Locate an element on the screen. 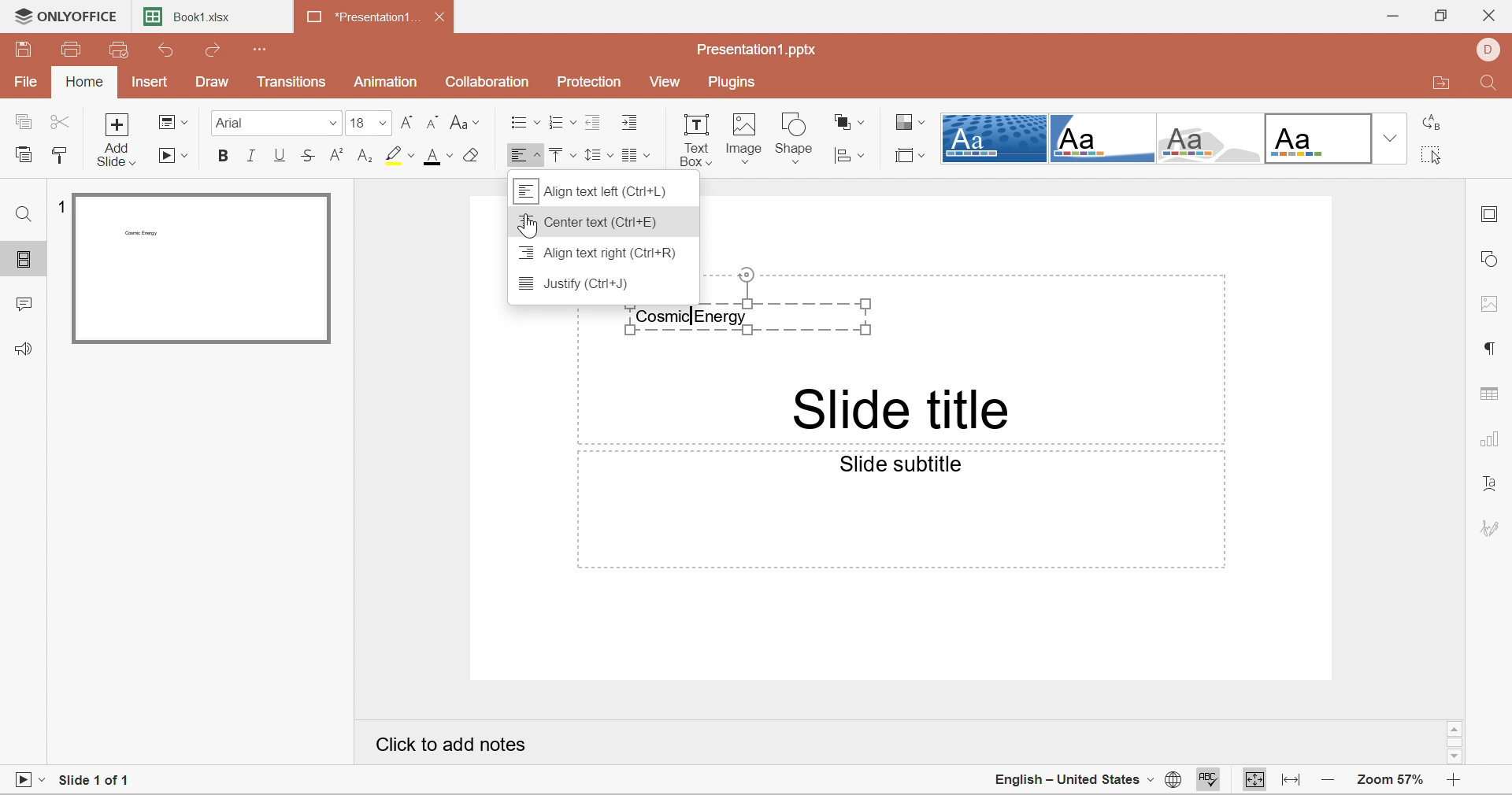 This screenshot has height=795, width=1512. Set document language is located at coordinates (1169, 781).